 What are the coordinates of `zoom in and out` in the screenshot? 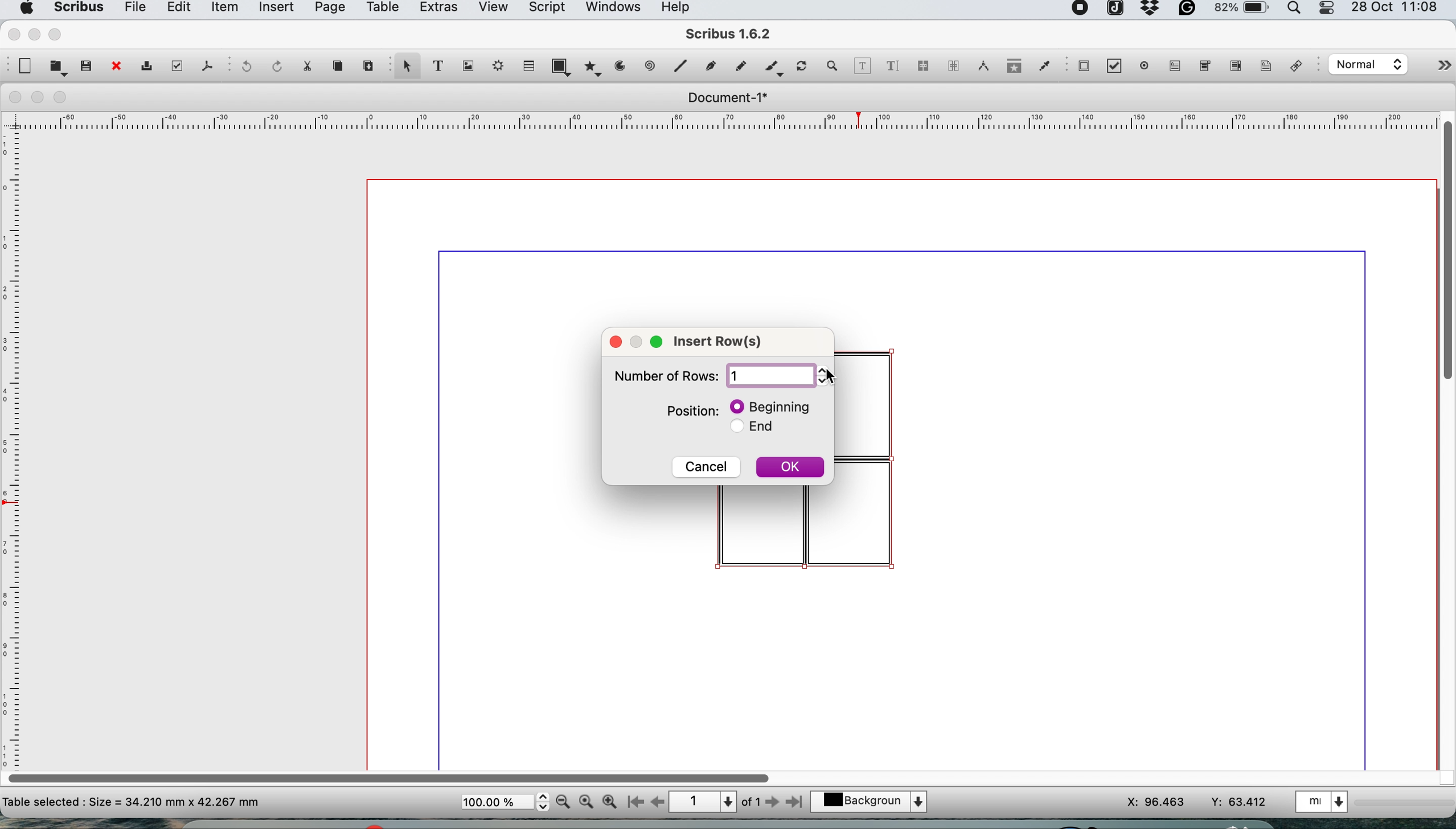 It's located at (833, 66).